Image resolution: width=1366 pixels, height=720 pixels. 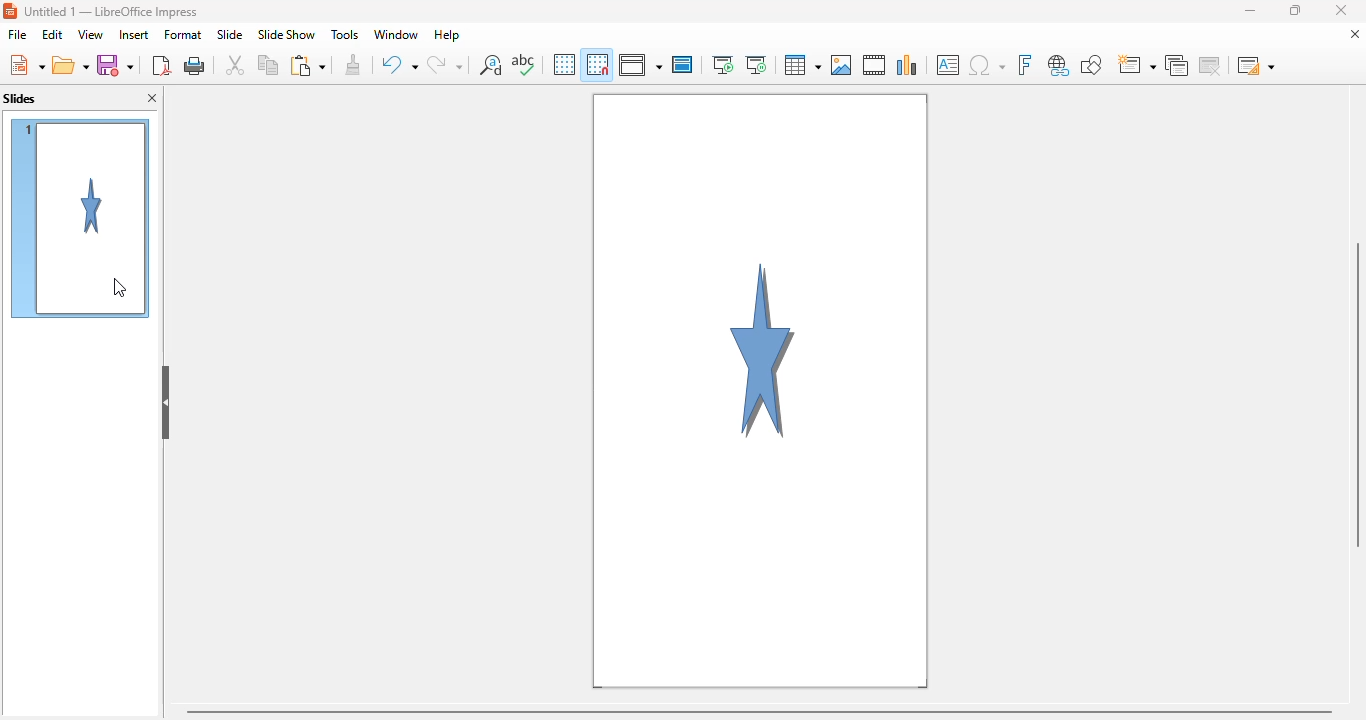 I want to click on vertical scroll bar, so click(x=1357, y=393).